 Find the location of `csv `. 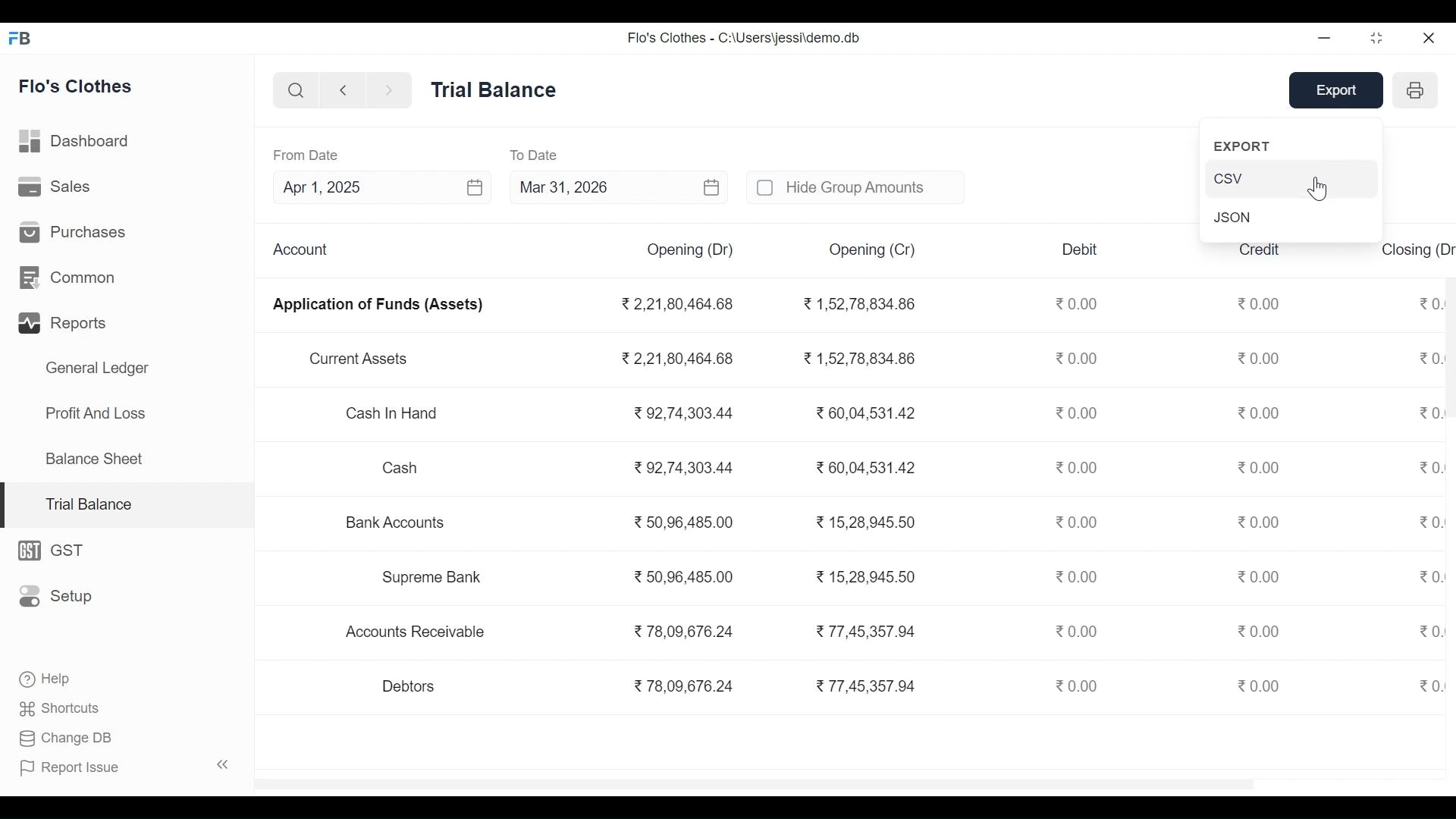

csv  is located at coordinates (1290, 178).